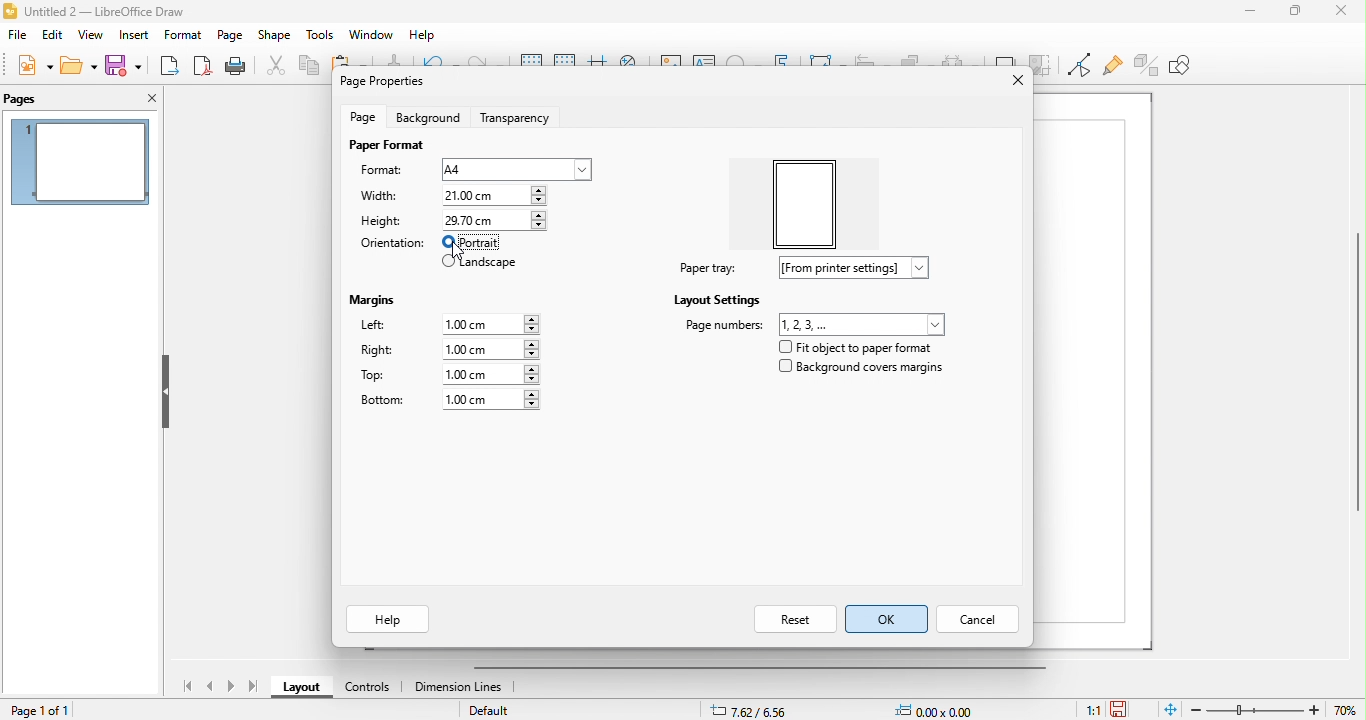  What do you see at coordinates (705, 302) in the screenshot?
I see `layout settings` at bounding box center [705, 302].